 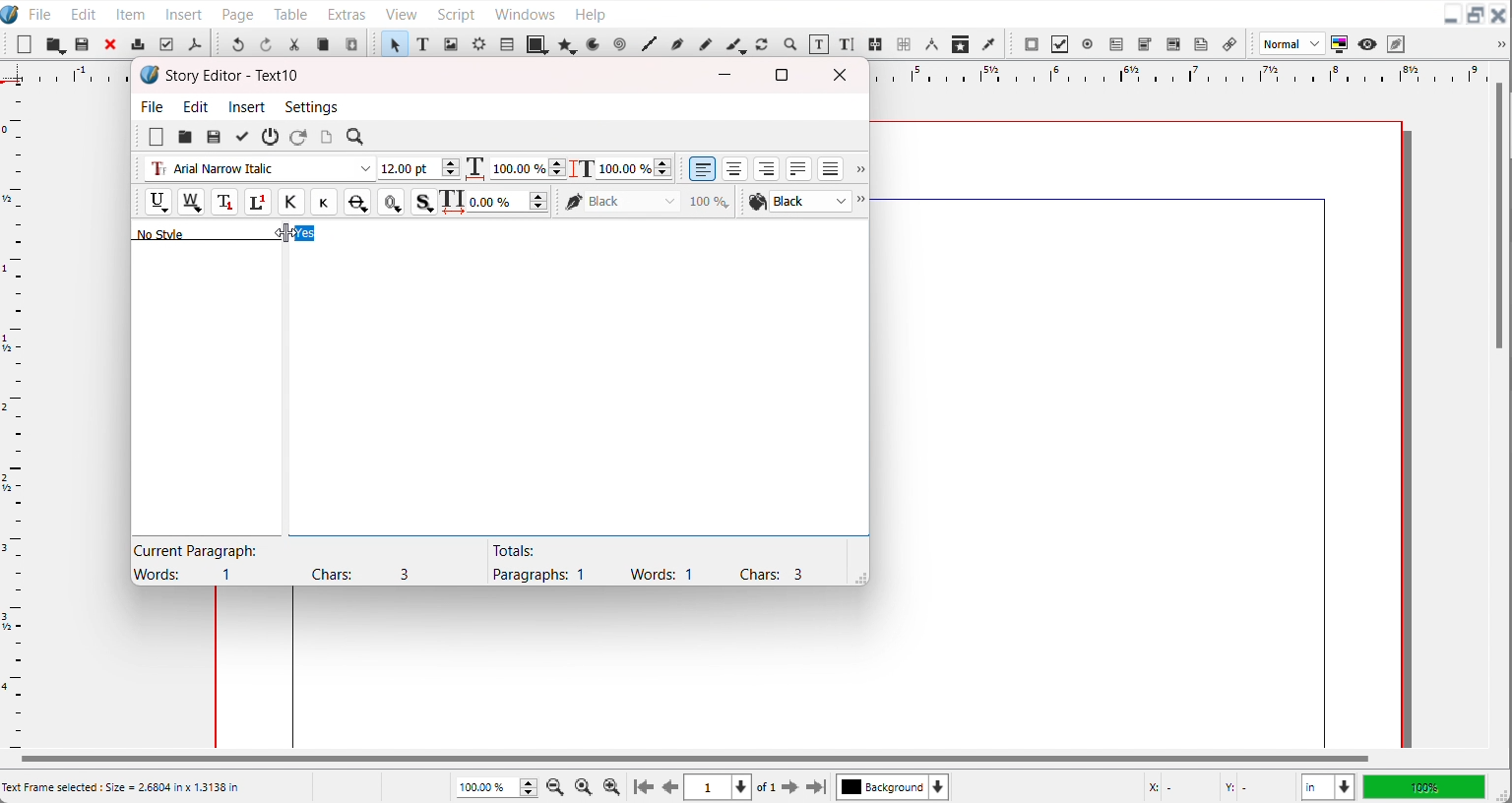 What do you see at coordinates (767, 168) in the screenshot?
I see `Align text right` at bounding box center [767, 168].